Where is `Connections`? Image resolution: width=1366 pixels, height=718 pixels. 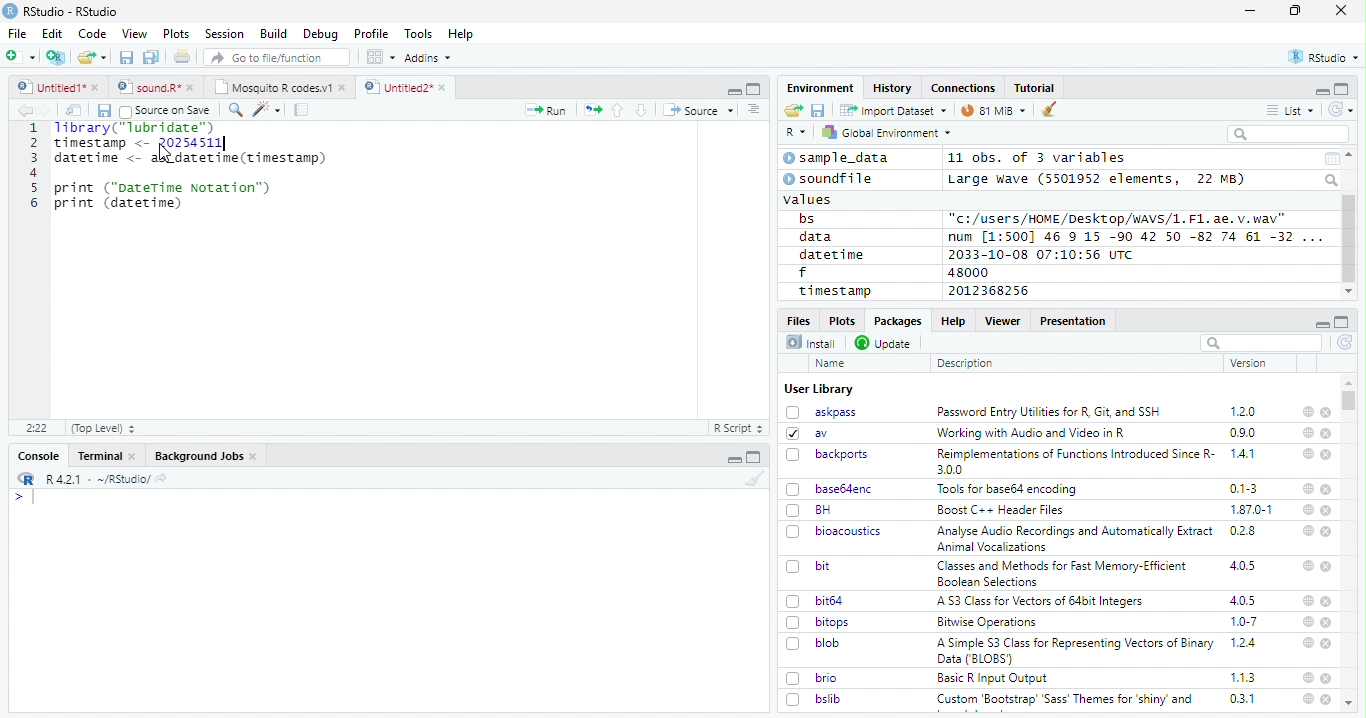
Connections is located at coordinates (962, 88).